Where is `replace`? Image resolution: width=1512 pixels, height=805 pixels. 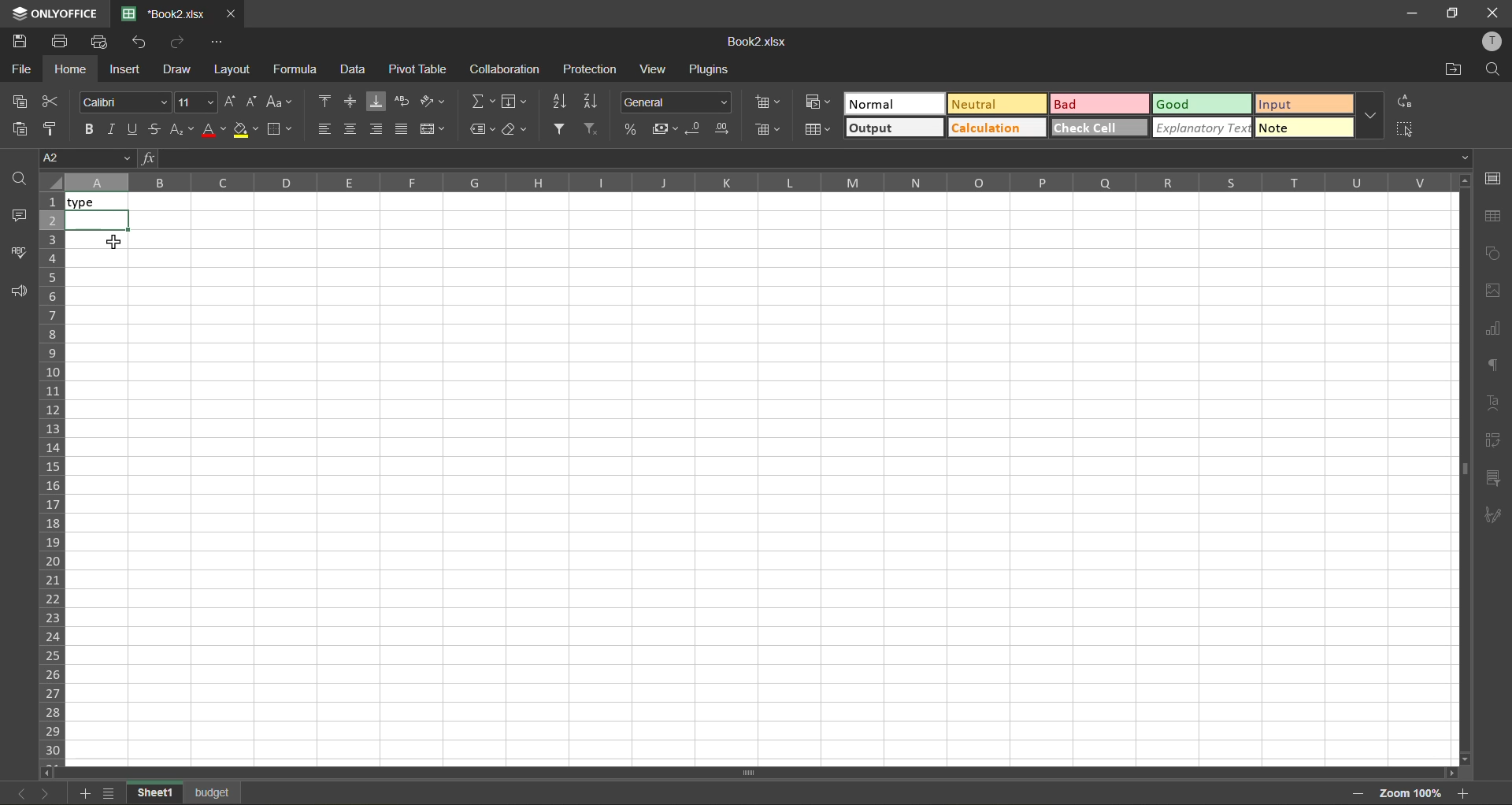
replace is located at coordinates (1404, 102).